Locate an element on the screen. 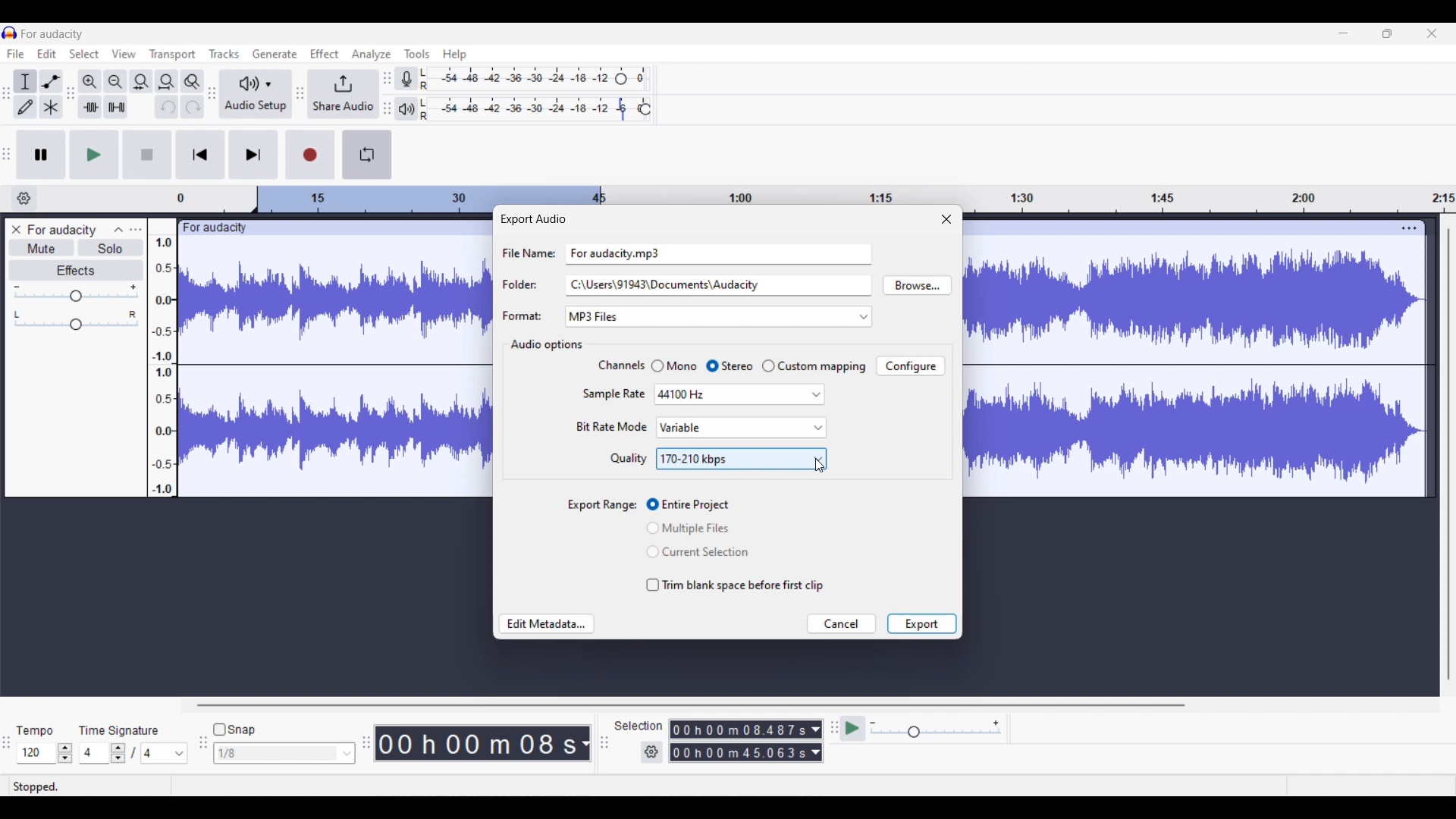 This screenshot has height=819, width=1456. Stop is located at coordinates (147, 154).